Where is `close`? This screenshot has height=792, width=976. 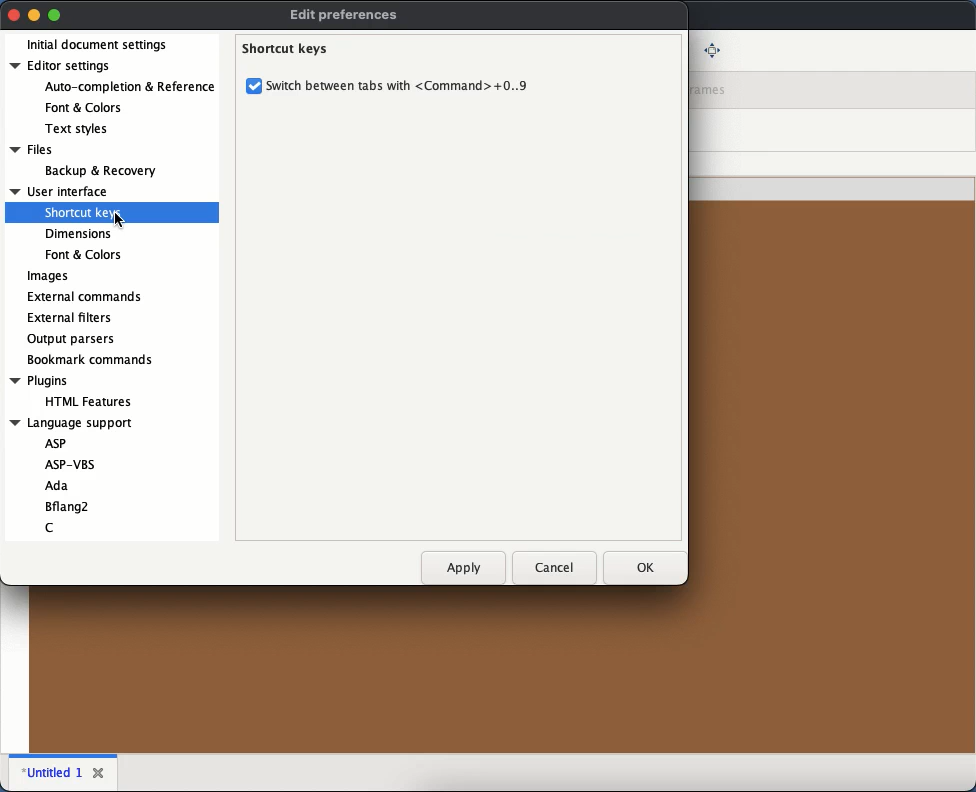
close is located at coordinates (14, 14).